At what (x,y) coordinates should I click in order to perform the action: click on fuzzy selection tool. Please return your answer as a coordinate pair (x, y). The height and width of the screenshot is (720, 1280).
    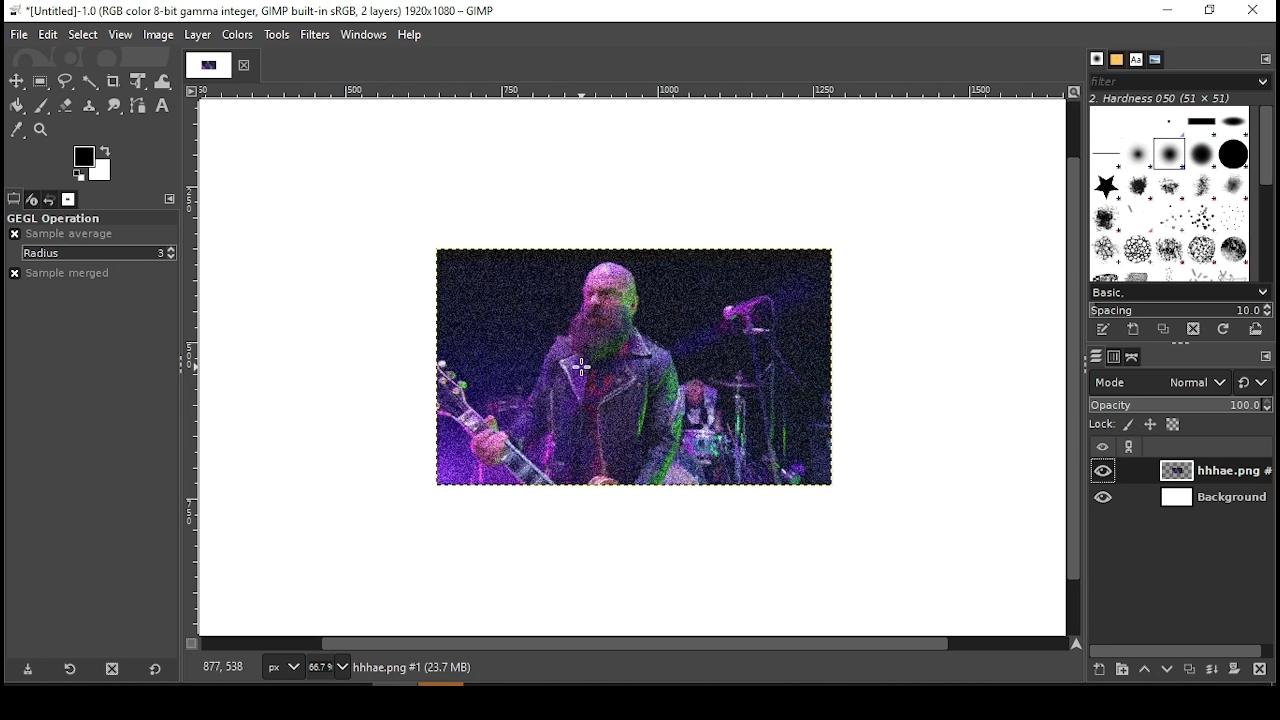
    Looking at the image, I should click on (91, 80).